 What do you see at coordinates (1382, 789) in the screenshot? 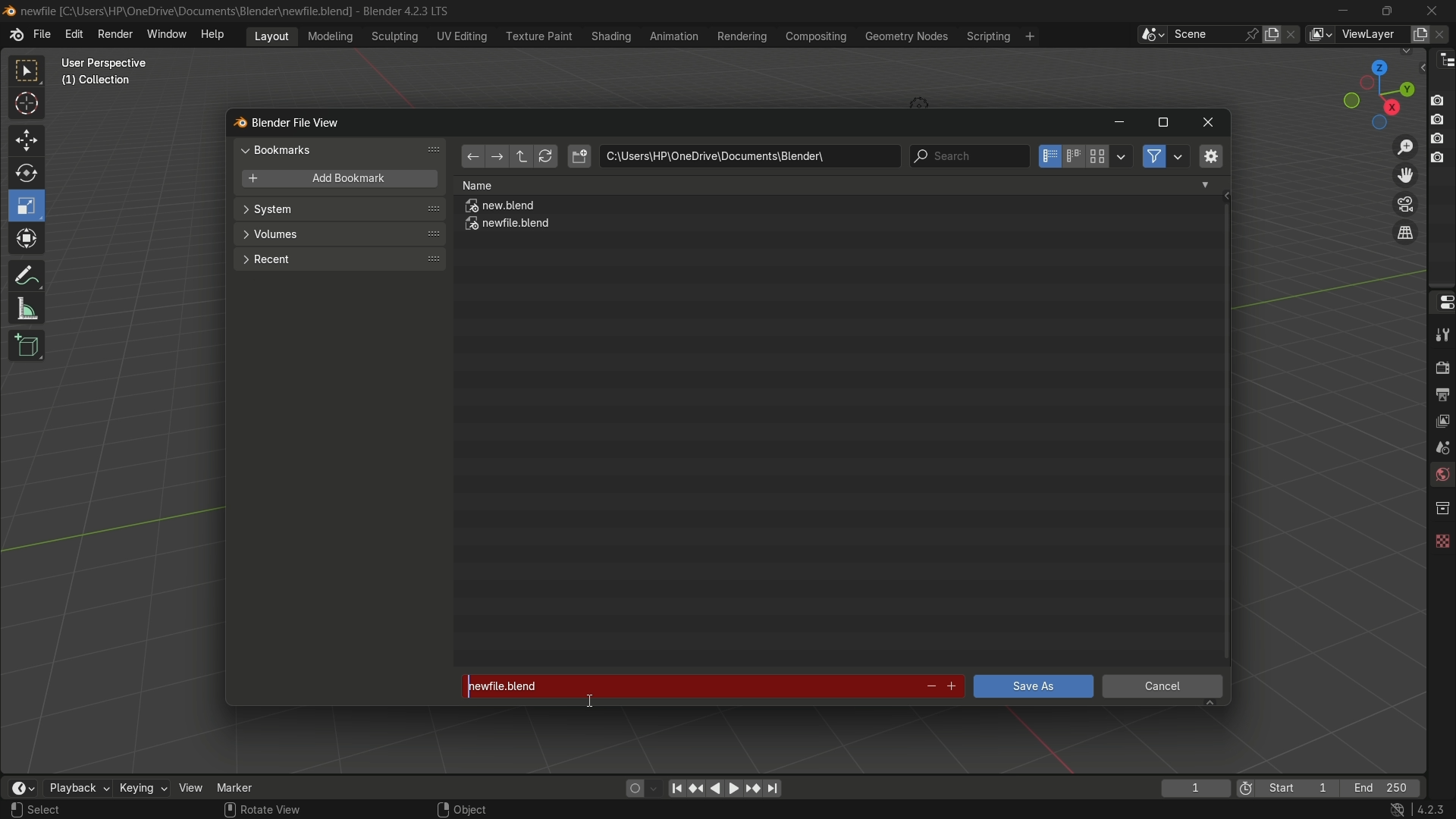
I see `final frame of the playback` at bounding box center [1382, 789].